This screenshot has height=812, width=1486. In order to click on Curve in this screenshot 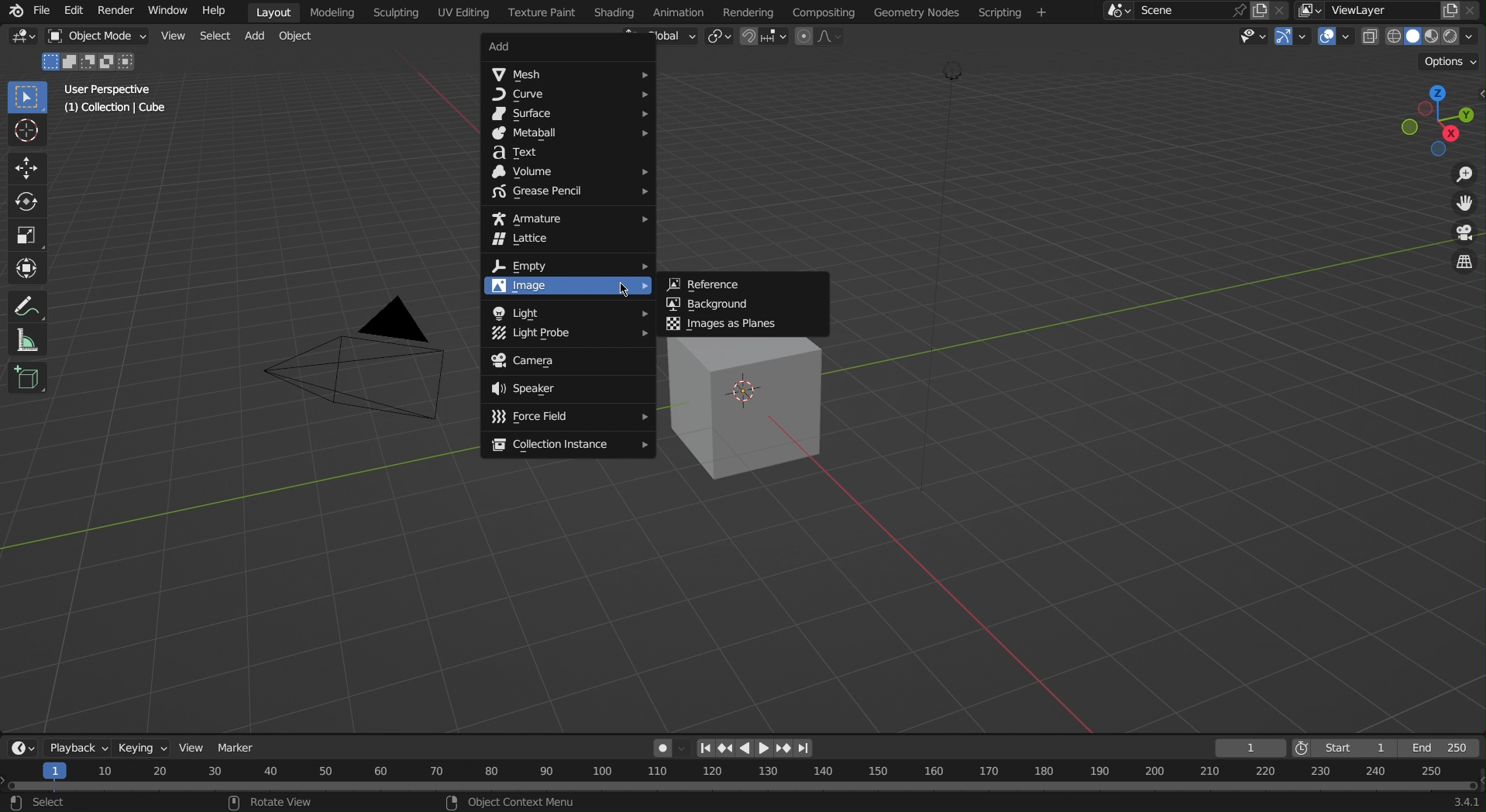, I will do `click(573, 96)`.